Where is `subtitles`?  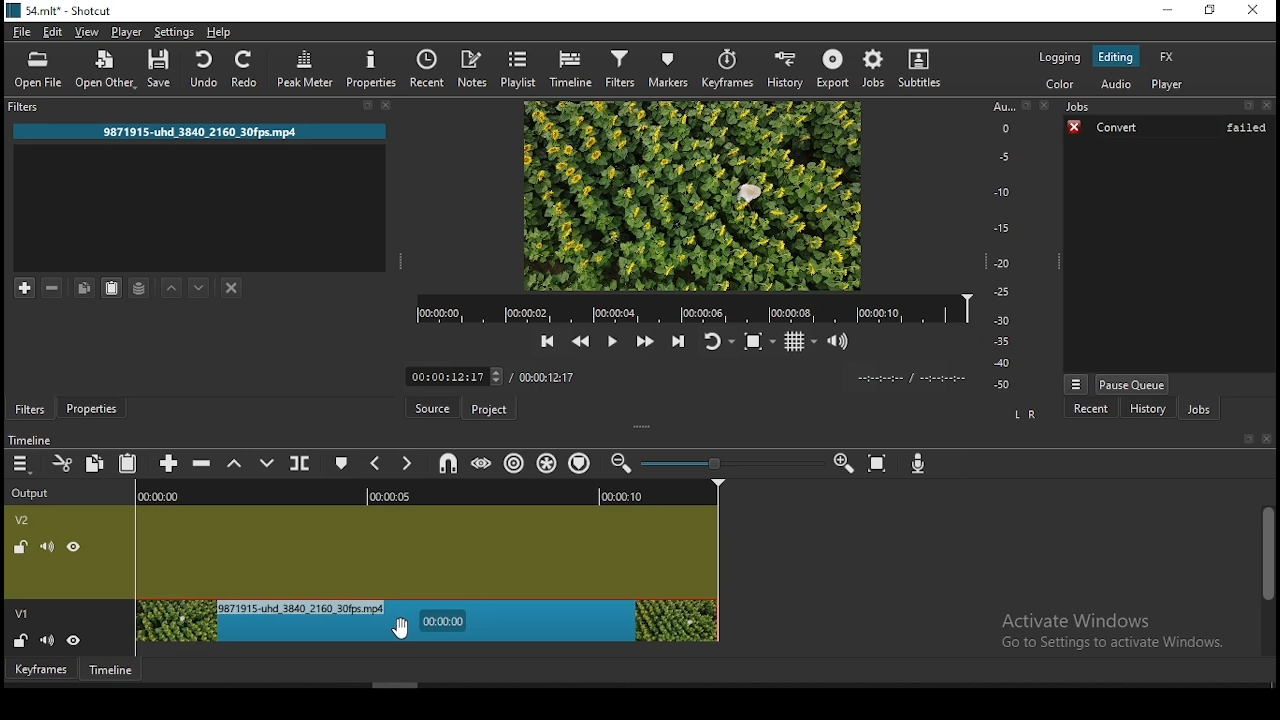 subtitles is located at coordinates (921, 68).